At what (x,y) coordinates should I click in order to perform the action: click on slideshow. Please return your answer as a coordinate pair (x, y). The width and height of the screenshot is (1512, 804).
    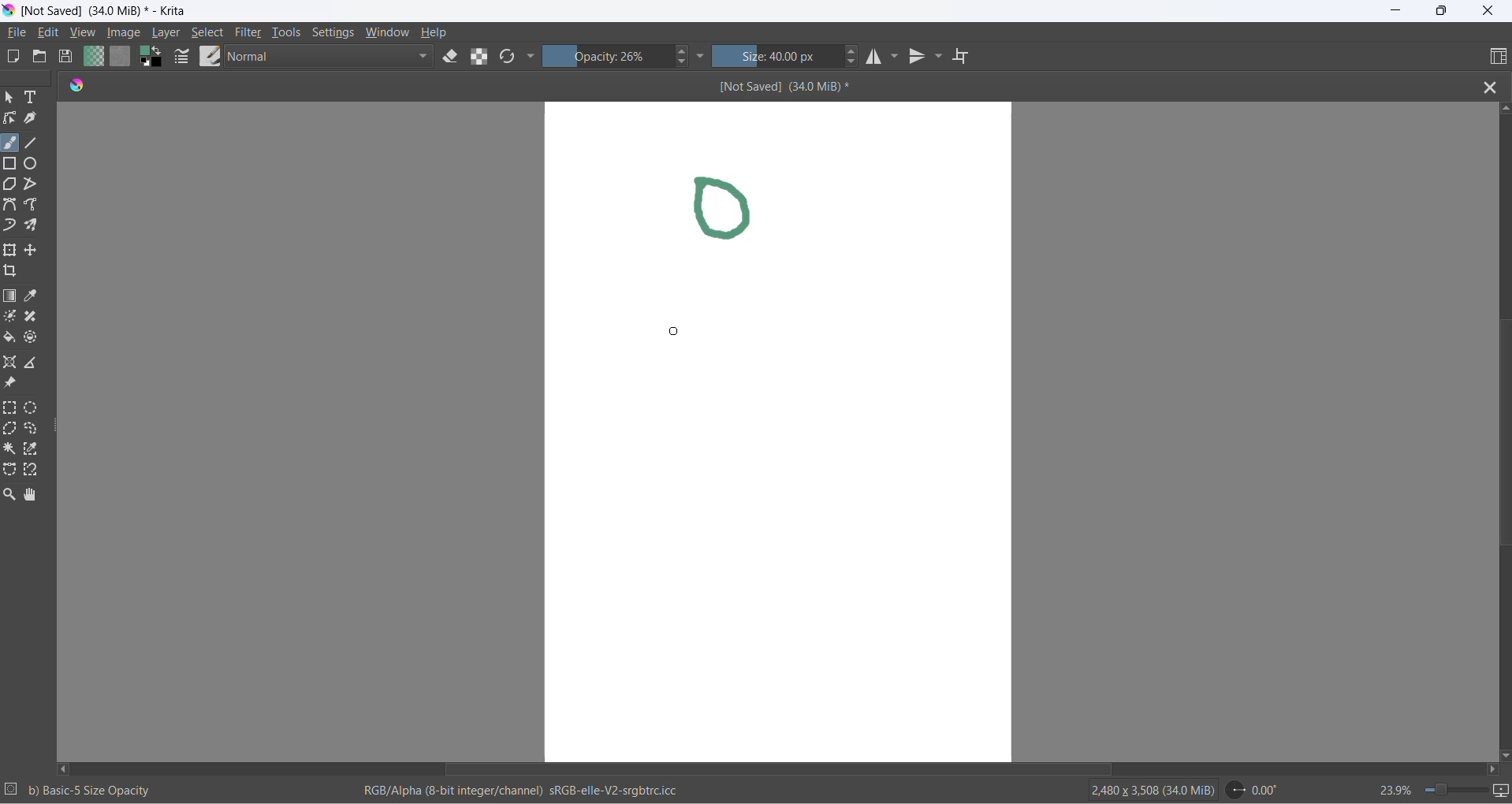
    Looking at the image, I should click on (1502, 792).